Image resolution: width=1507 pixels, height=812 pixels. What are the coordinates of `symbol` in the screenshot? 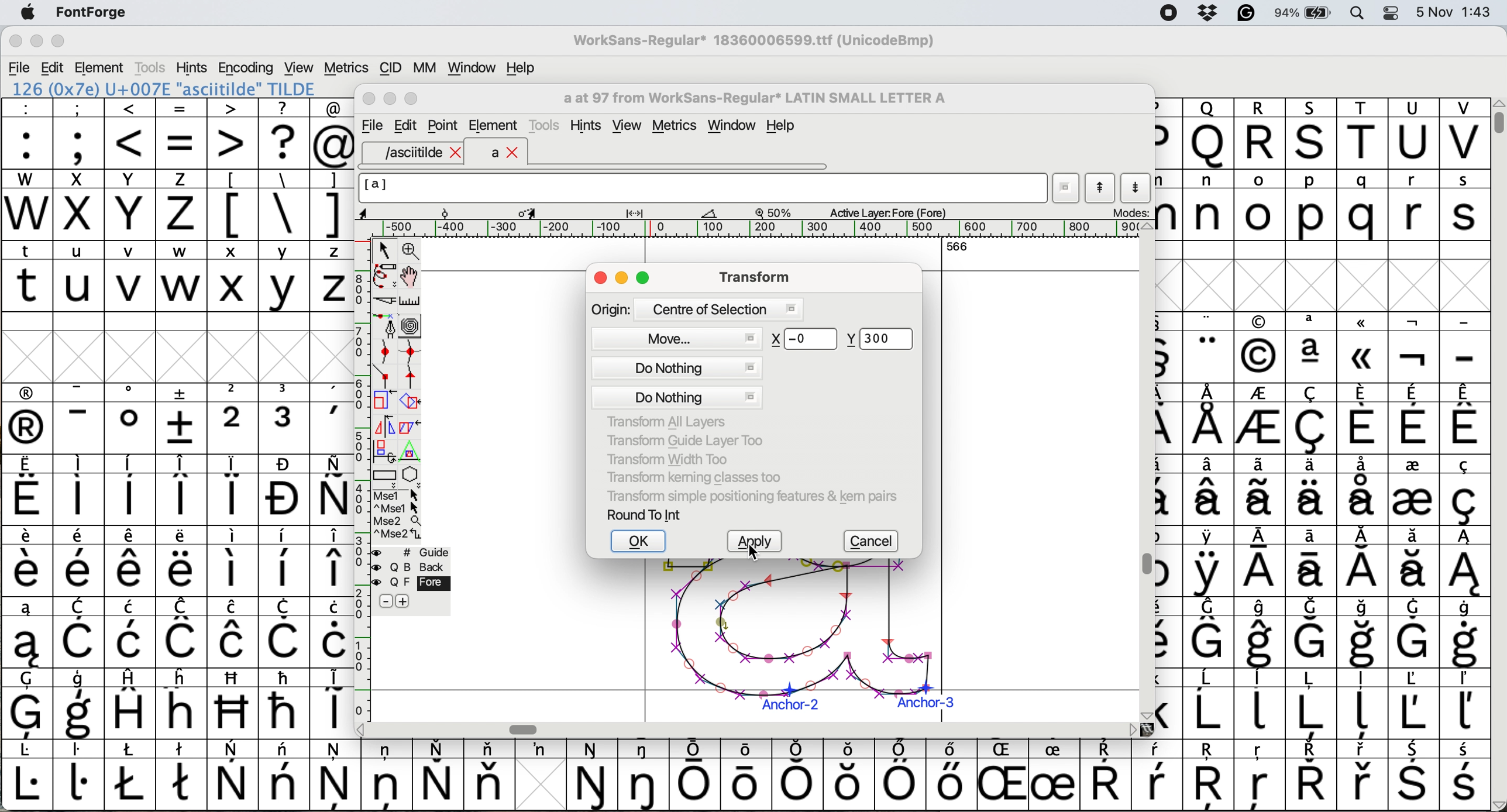 It's located at (1464, 633).